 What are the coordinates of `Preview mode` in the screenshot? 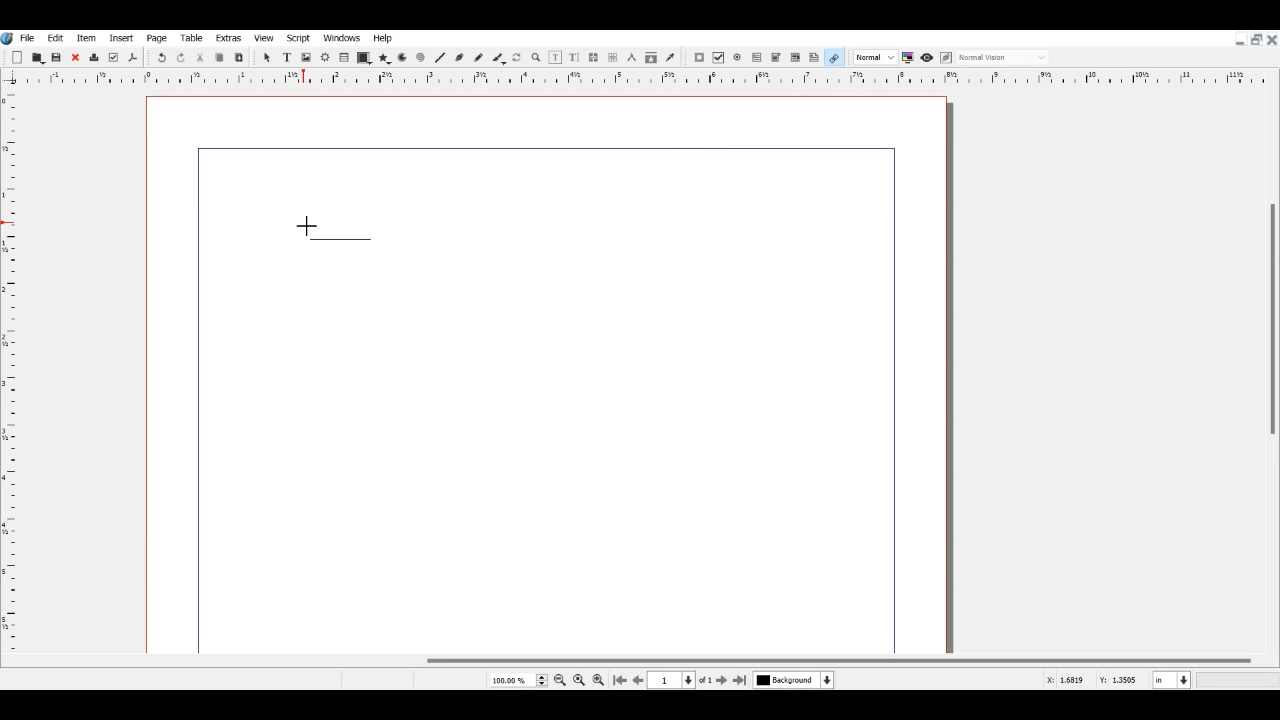 It's located at (926, 57).